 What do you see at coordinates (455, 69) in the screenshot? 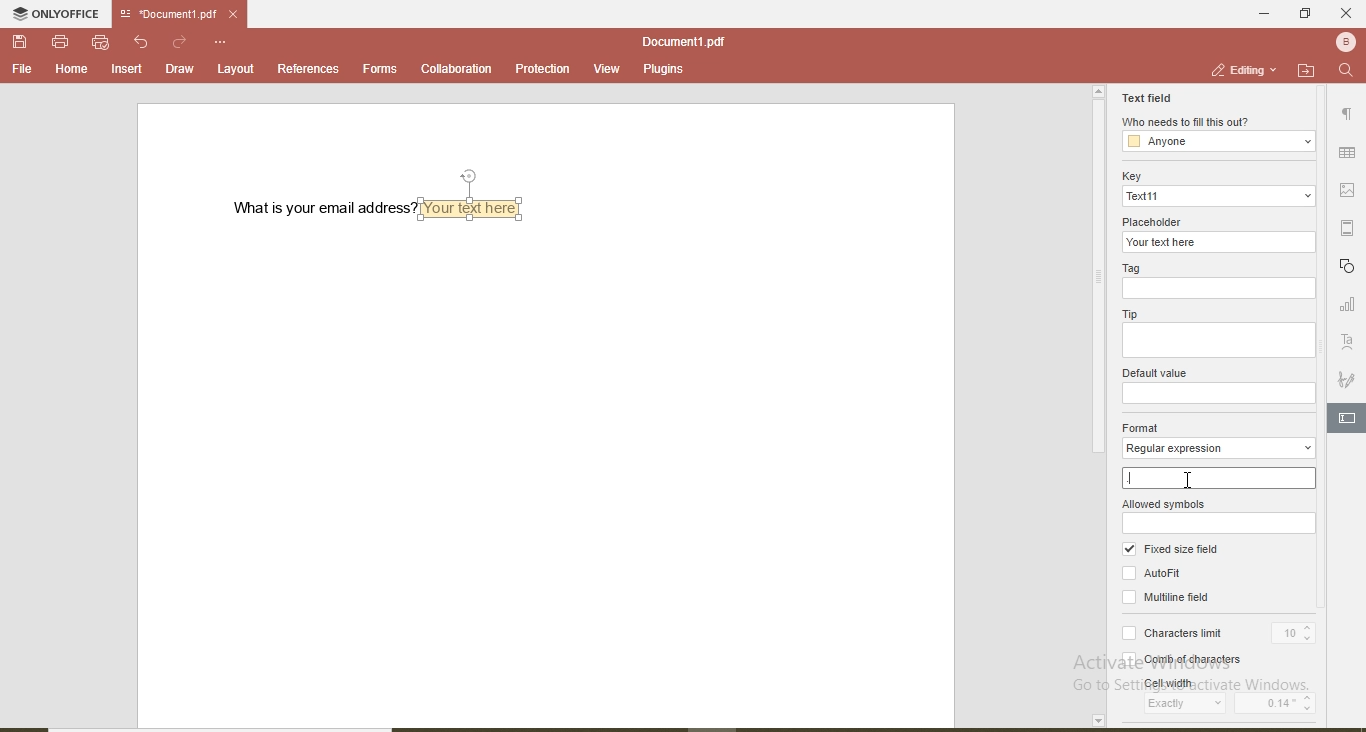
I see `collaboration` at bounding box center [455, 69].